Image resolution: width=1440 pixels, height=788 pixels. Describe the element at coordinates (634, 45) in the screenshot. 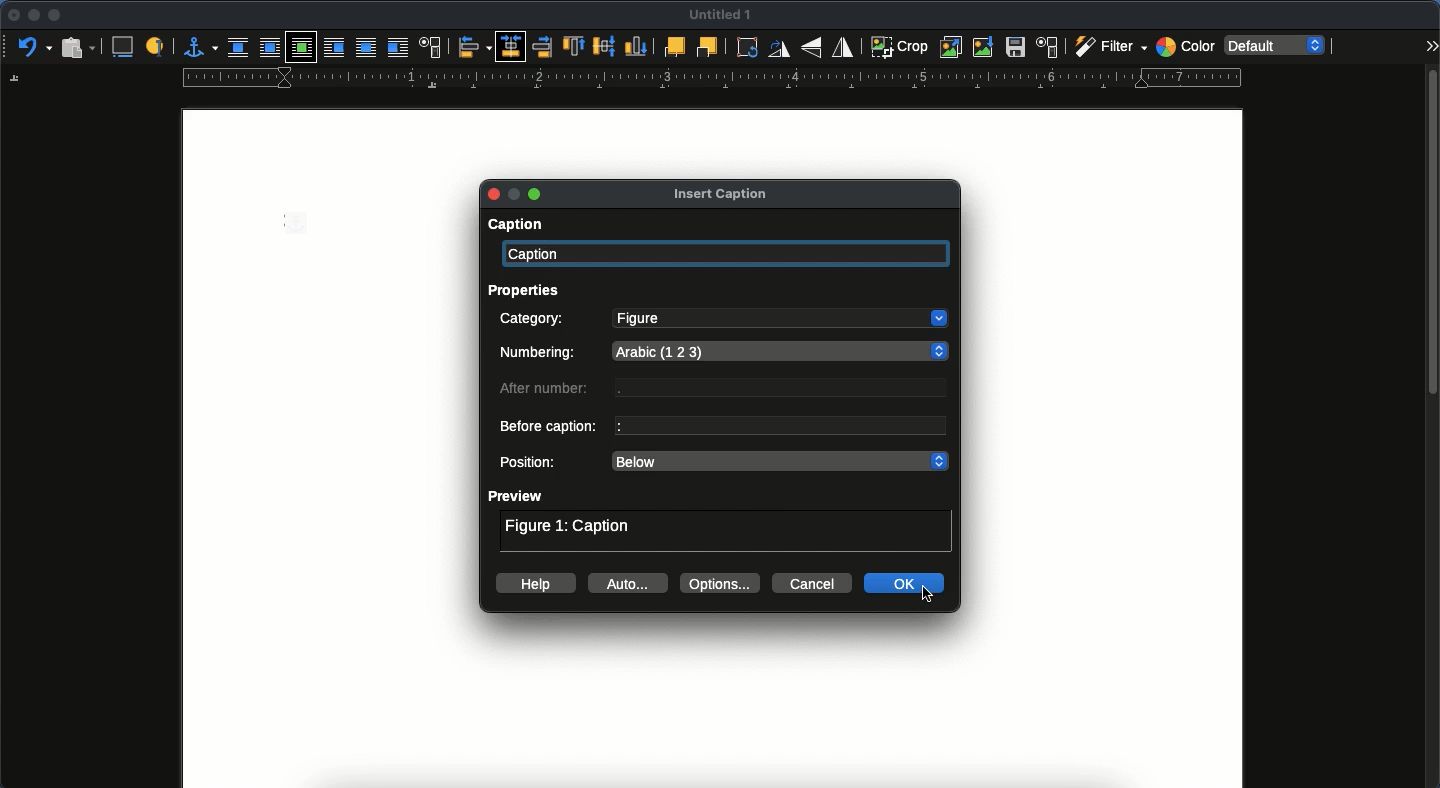

I see `bottom to anchor` at that location.